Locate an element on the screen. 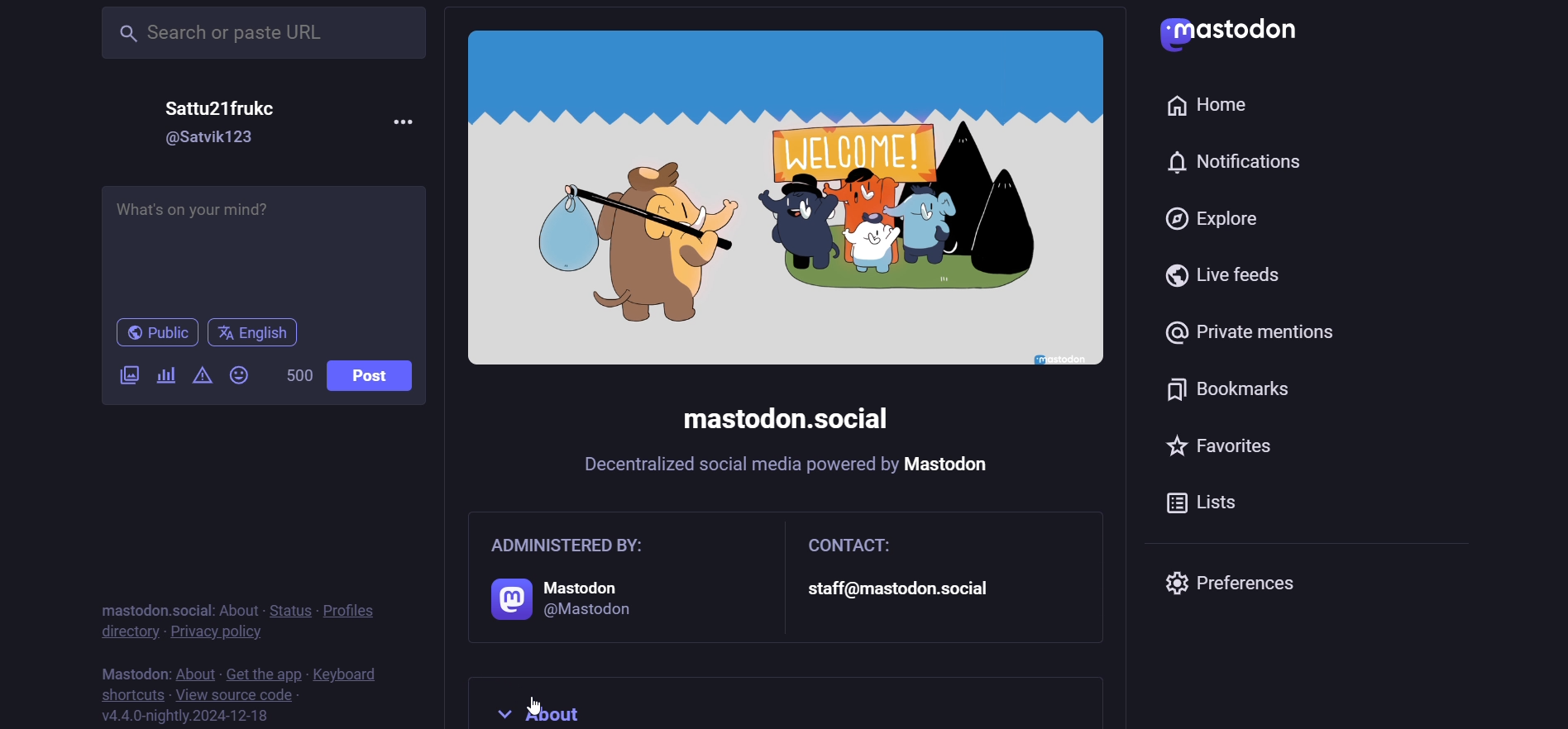 The height and width of the screenshot is (729, 1568). version is located at coordinates (188, 715).